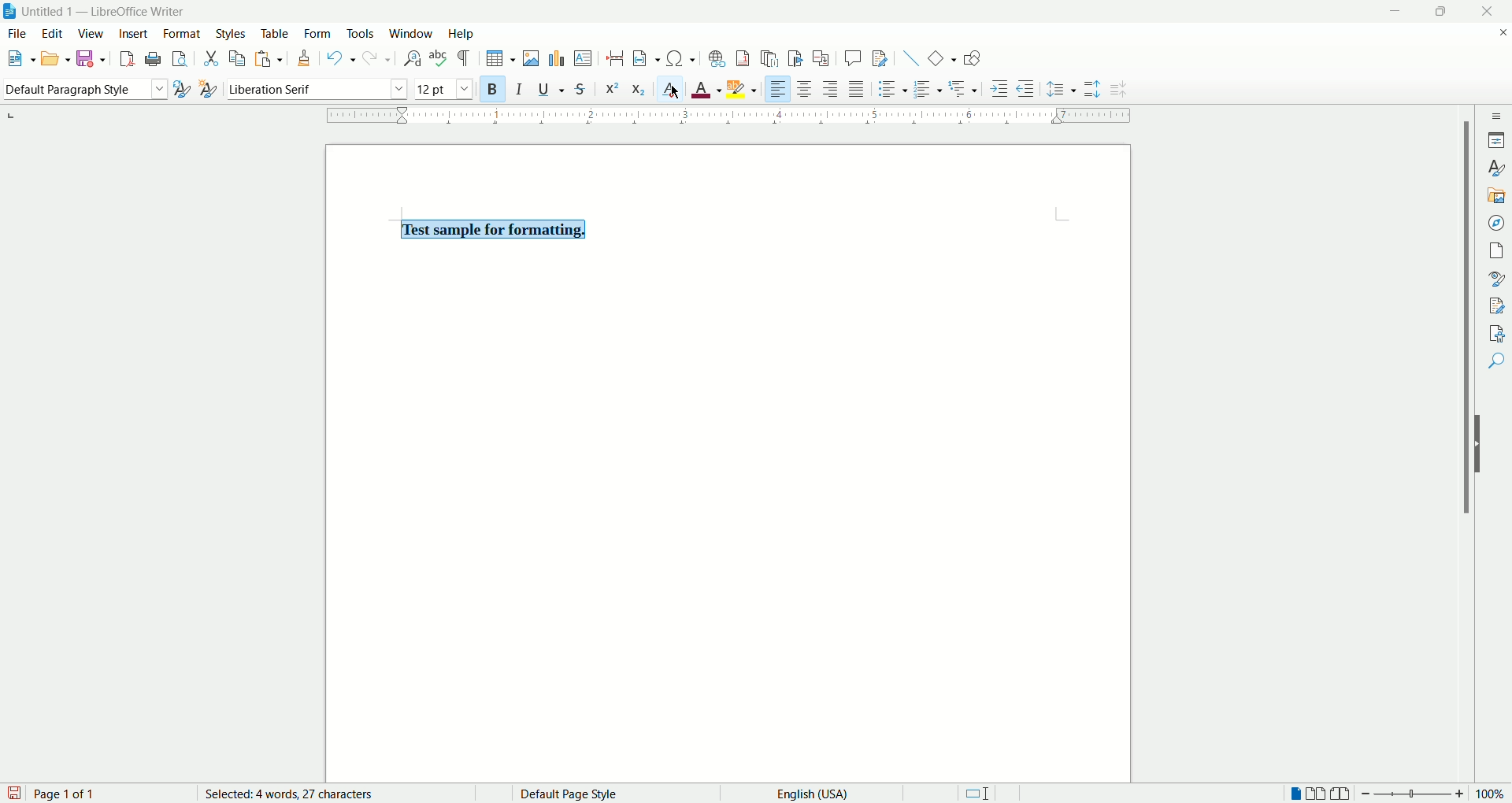 The height and width of the screenshot is (803, 1512). Describe the element at coordinates (317, 89) in the screenshot. I see `font name` at that location.